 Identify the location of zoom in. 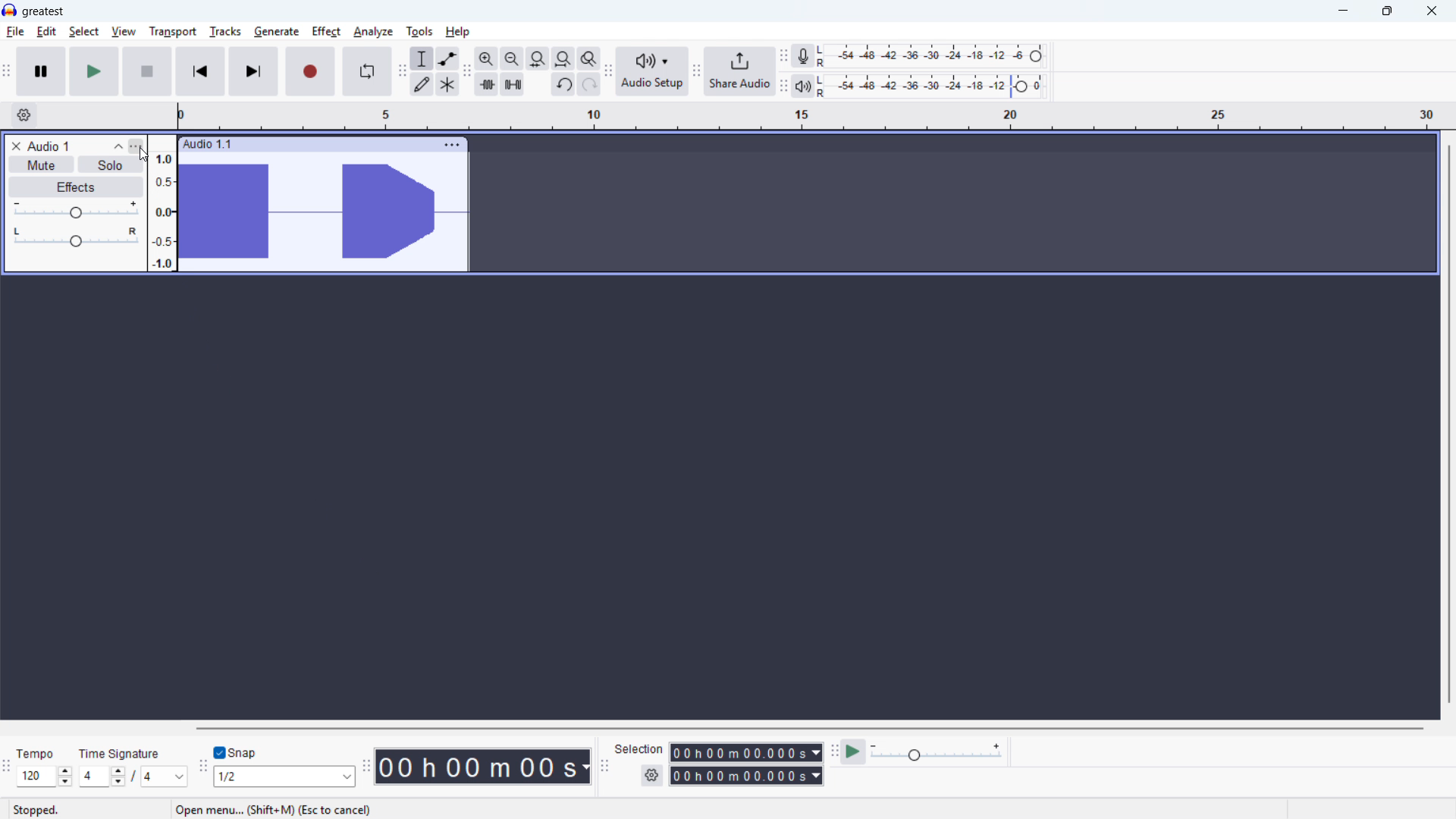
(486, 58).